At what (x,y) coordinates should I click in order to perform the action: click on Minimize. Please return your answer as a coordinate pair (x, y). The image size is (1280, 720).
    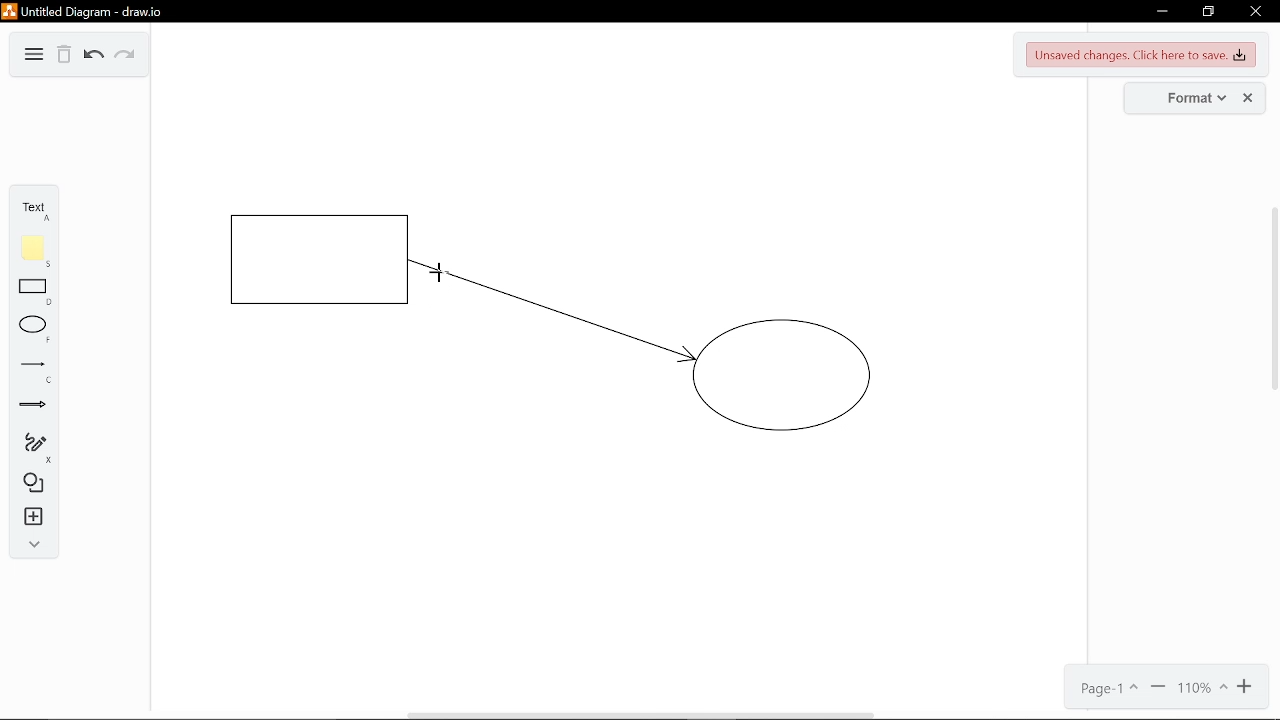
    Looking at the image, I should click on (1159, 10).